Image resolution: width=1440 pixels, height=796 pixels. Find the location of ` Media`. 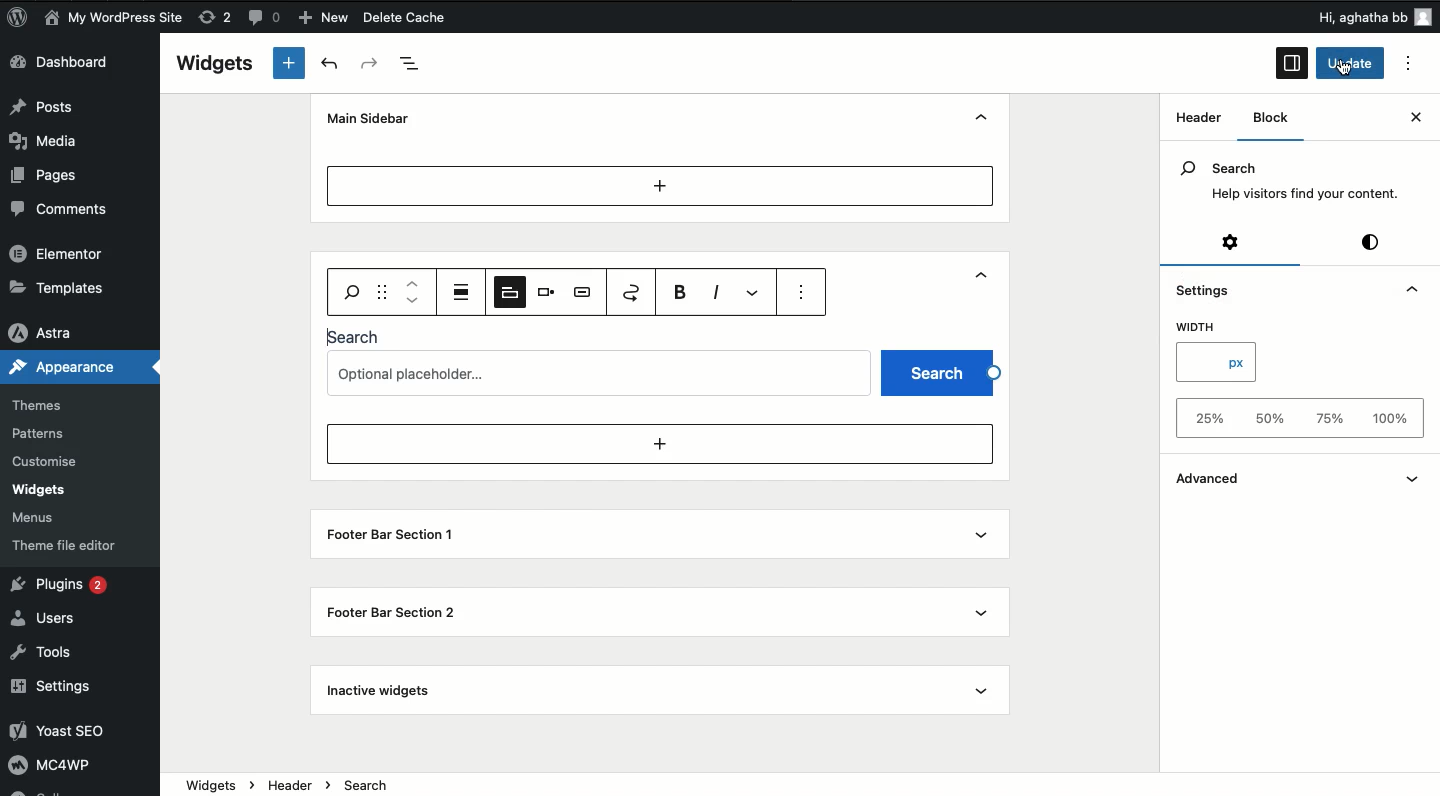

 Media is located at coordinates (56, 139).